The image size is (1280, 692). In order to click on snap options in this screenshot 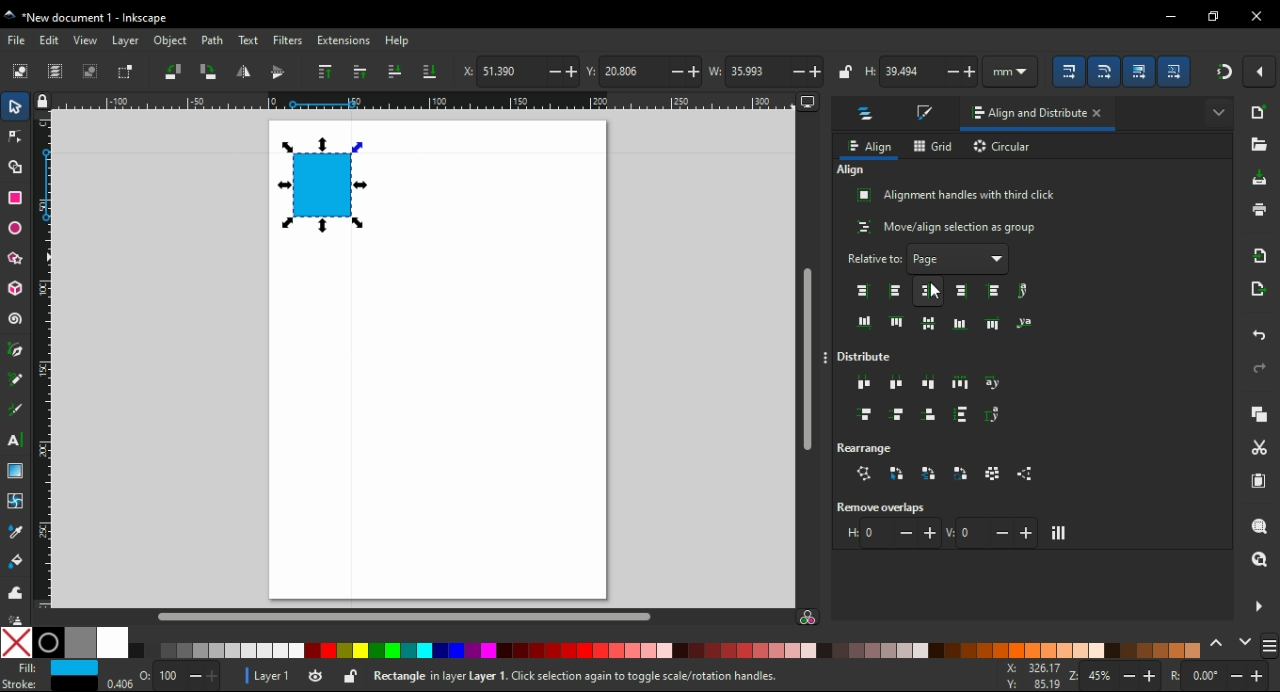, I will do `click(1261, 72)`.